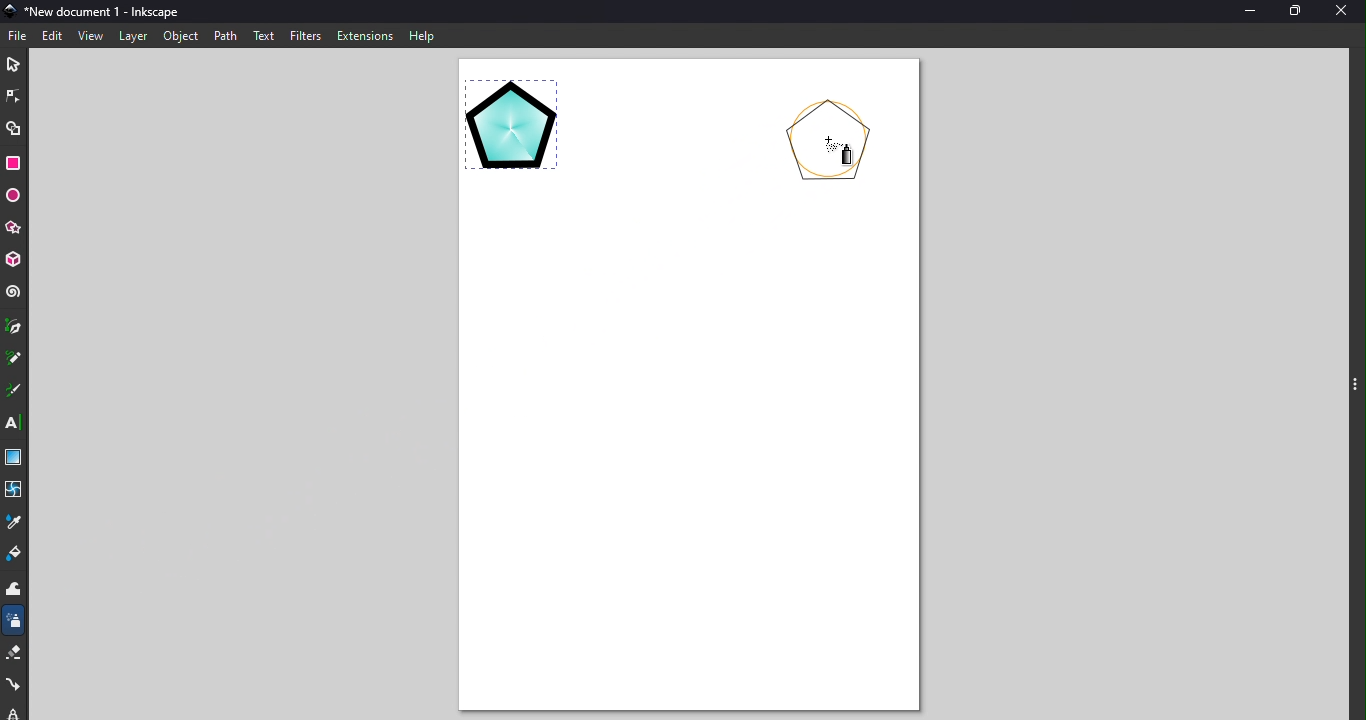 The width and height of the screenshot is (1366, 720). Describe the element at coordinates (13, 423) in the screenshot. I see `Text tool` at that location.